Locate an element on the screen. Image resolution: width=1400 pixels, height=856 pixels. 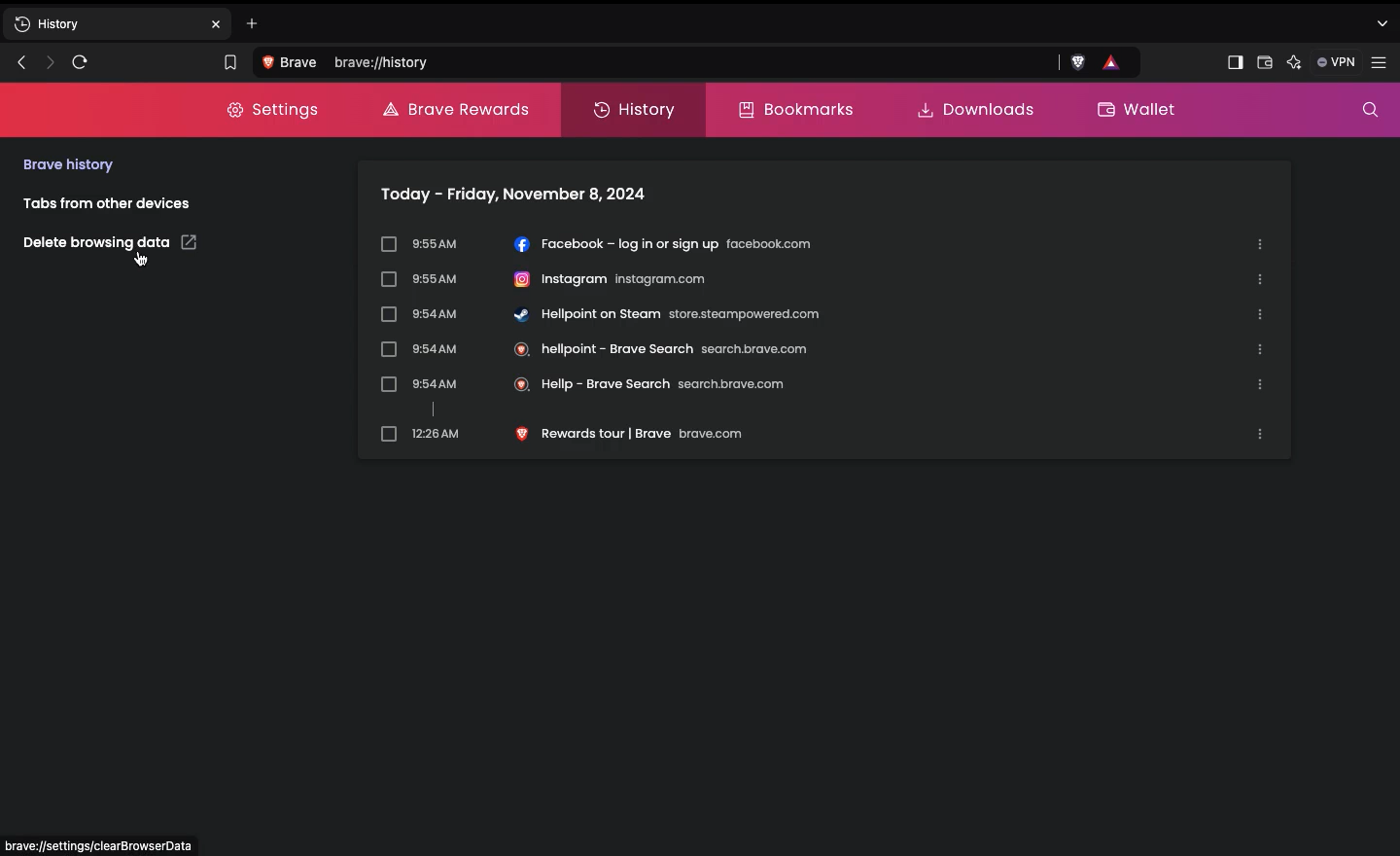
VPN is located at coordinates (1334, 62).